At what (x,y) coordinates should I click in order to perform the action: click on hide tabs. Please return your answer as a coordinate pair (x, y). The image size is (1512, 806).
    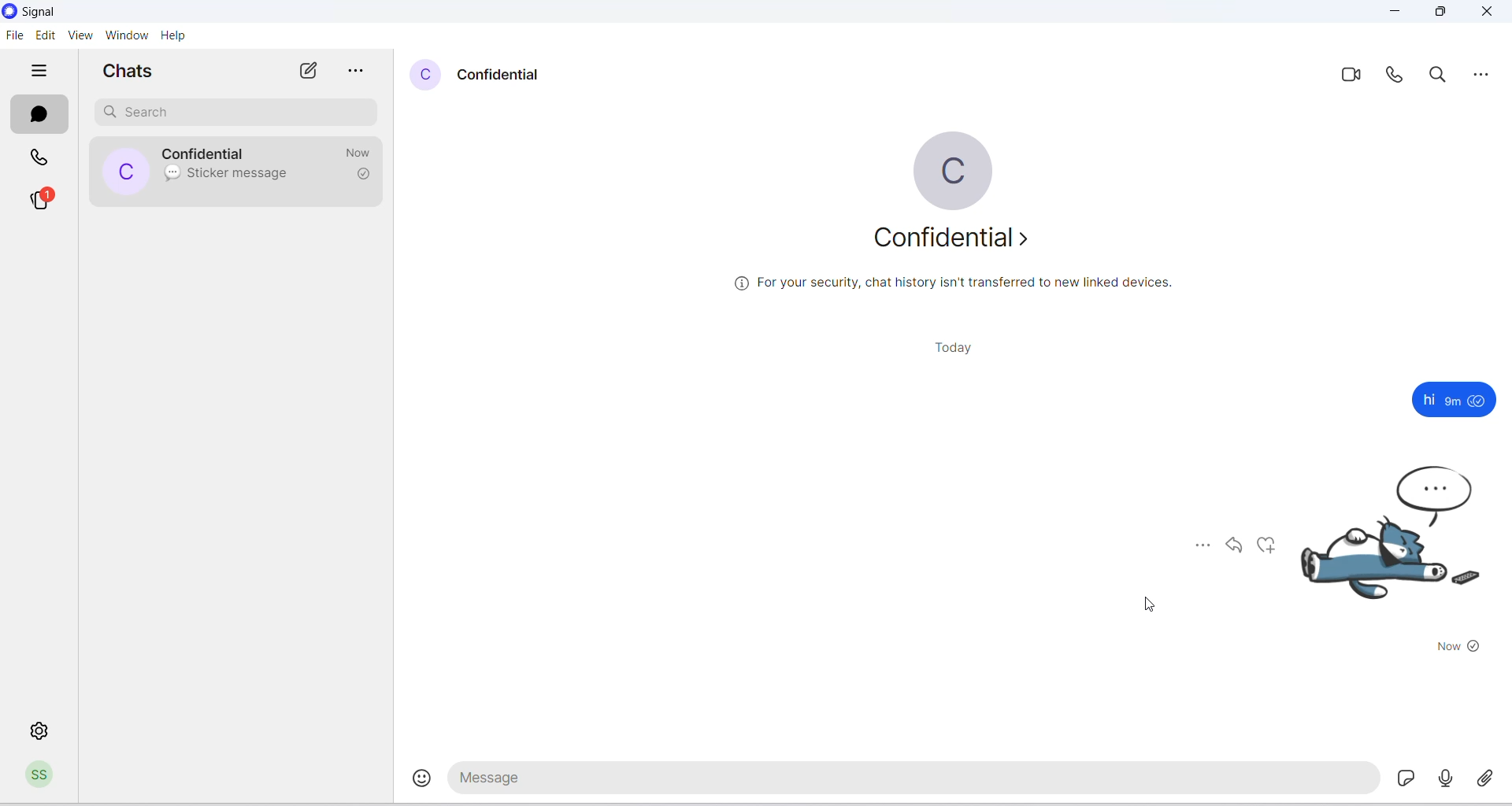
    Looking at the image, I should click on (40, 72).